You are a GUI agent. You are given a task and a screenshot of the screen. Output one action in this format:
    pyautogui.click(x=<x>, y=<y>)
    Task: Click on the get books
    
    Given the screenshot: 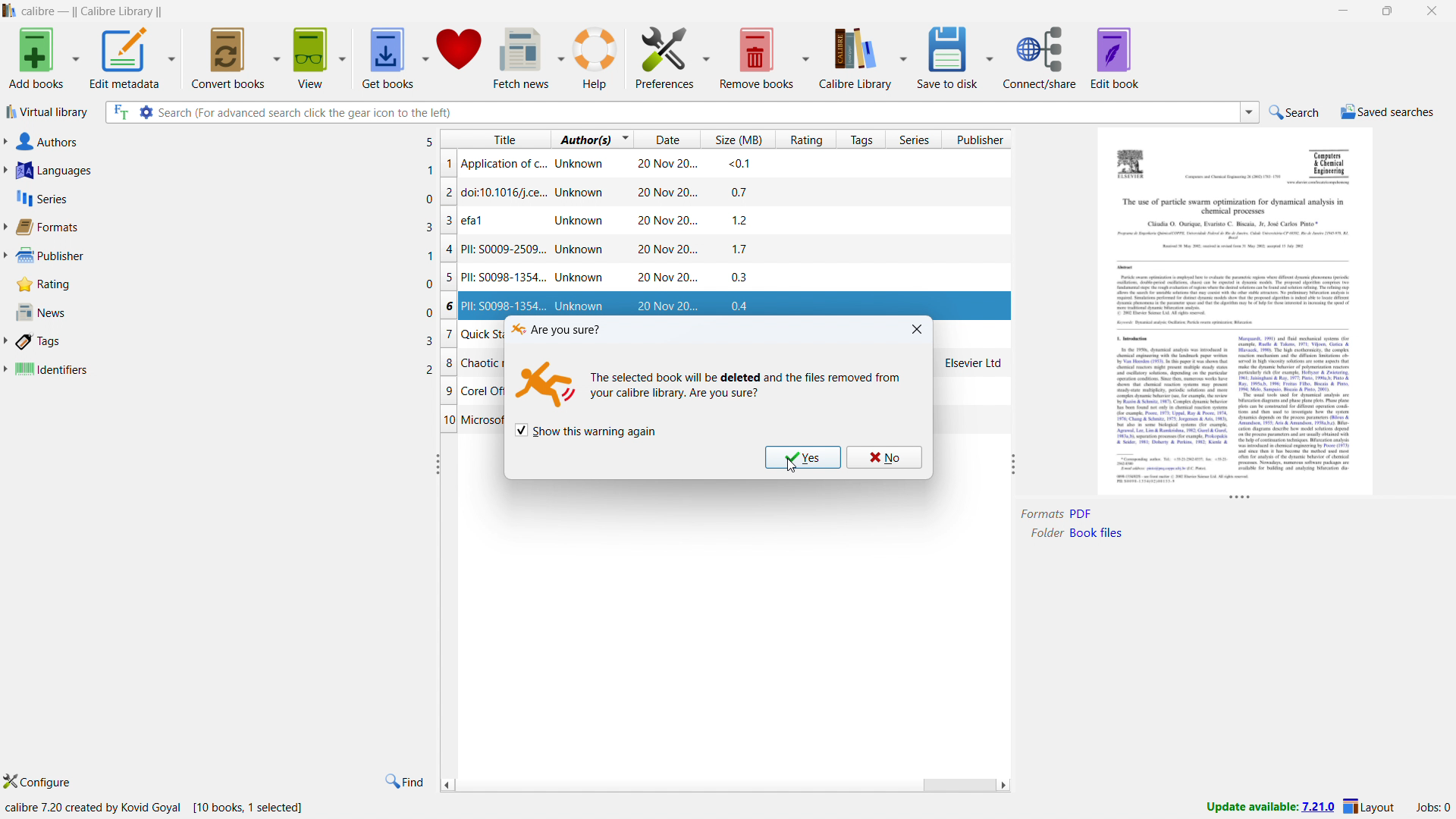 What is the action you would take?
    pyautogui.click(x=388, y=56)
    